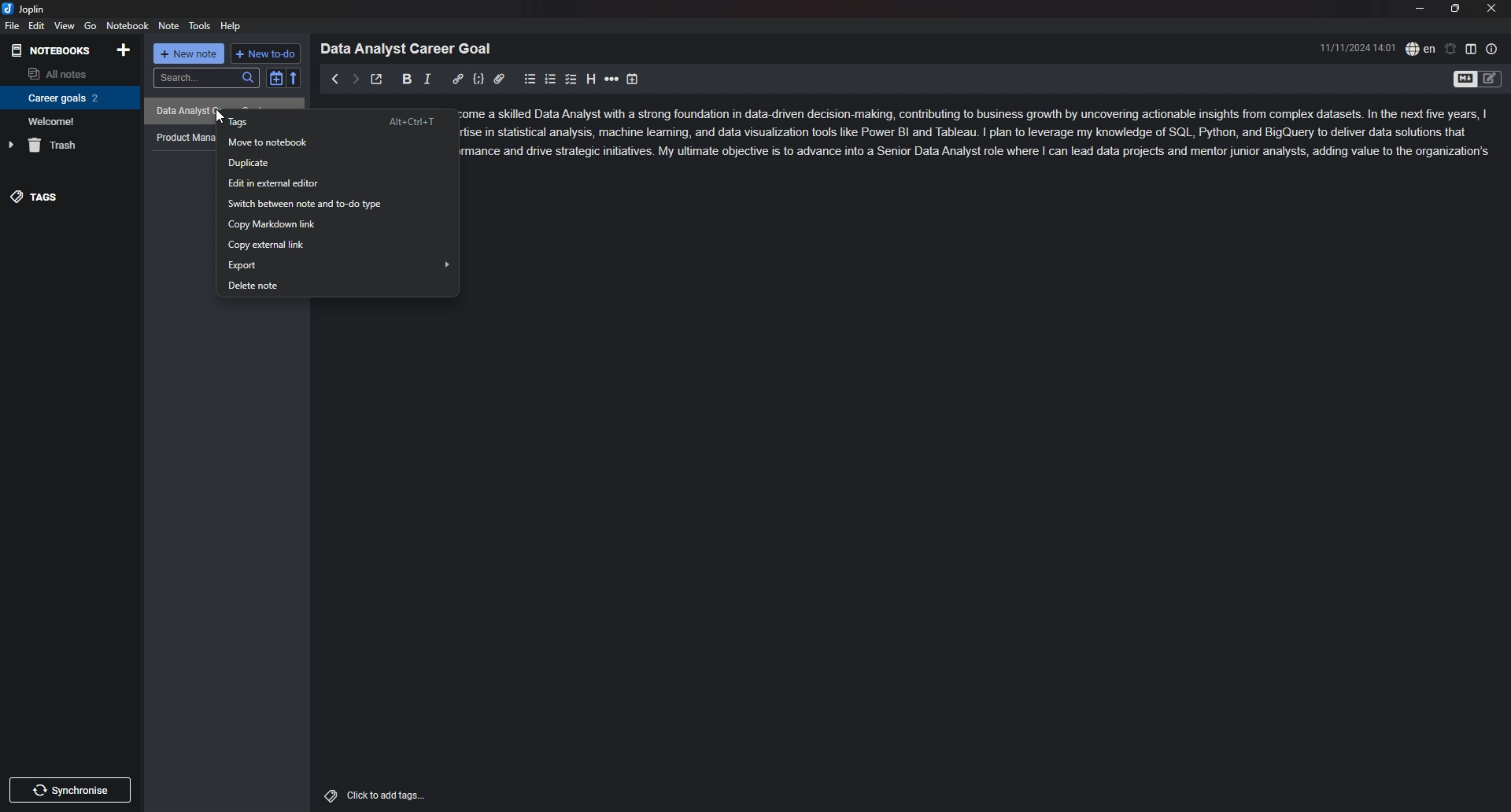 The width and height of the screenshot is (1511, 812). I want to click on checkbox, so click(571, 79).